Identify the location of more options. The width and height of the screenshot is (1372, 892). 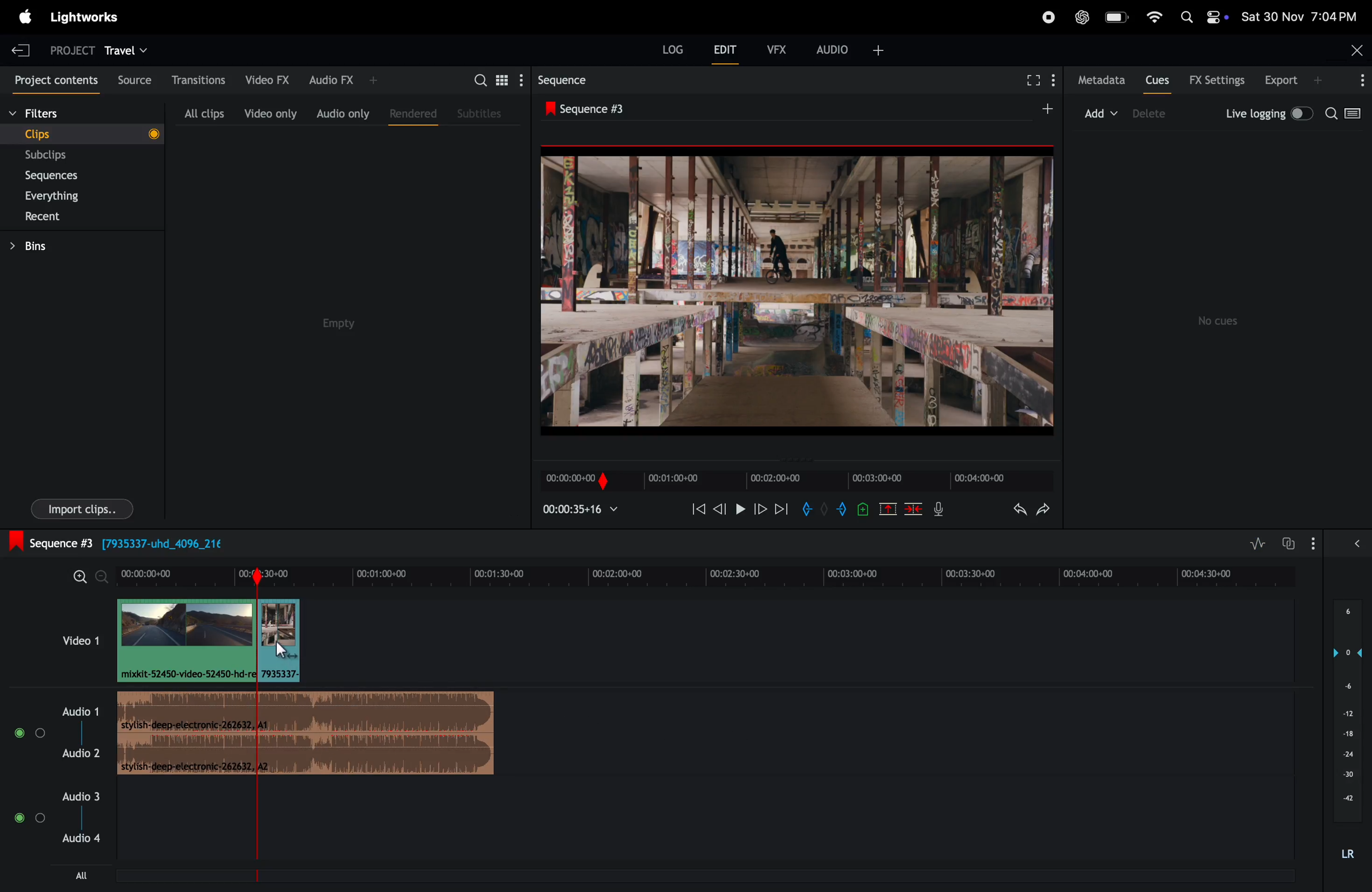
(1356, 81).